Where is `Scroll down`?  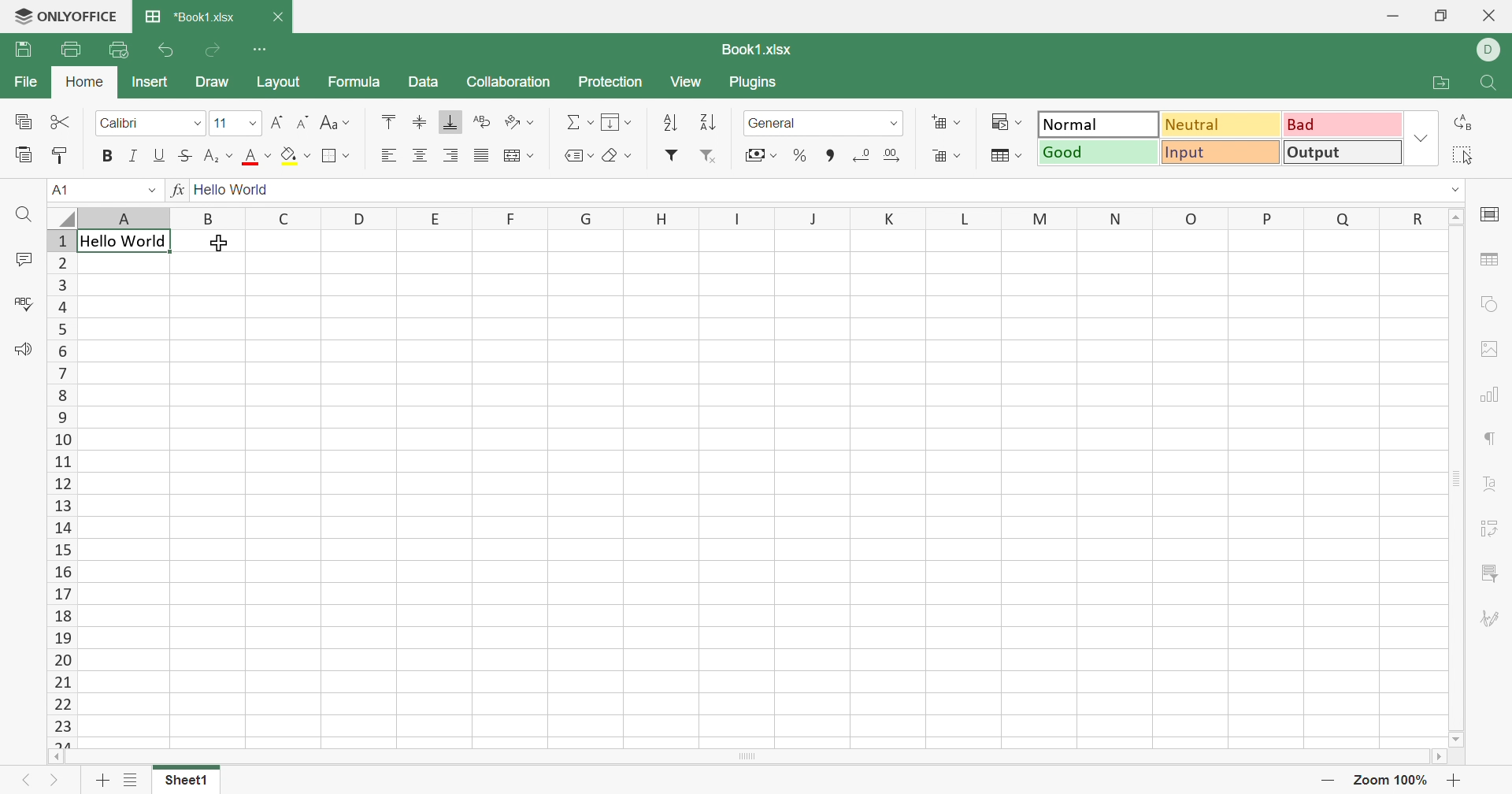 Scroll down is located at coordinates (1458, 739).